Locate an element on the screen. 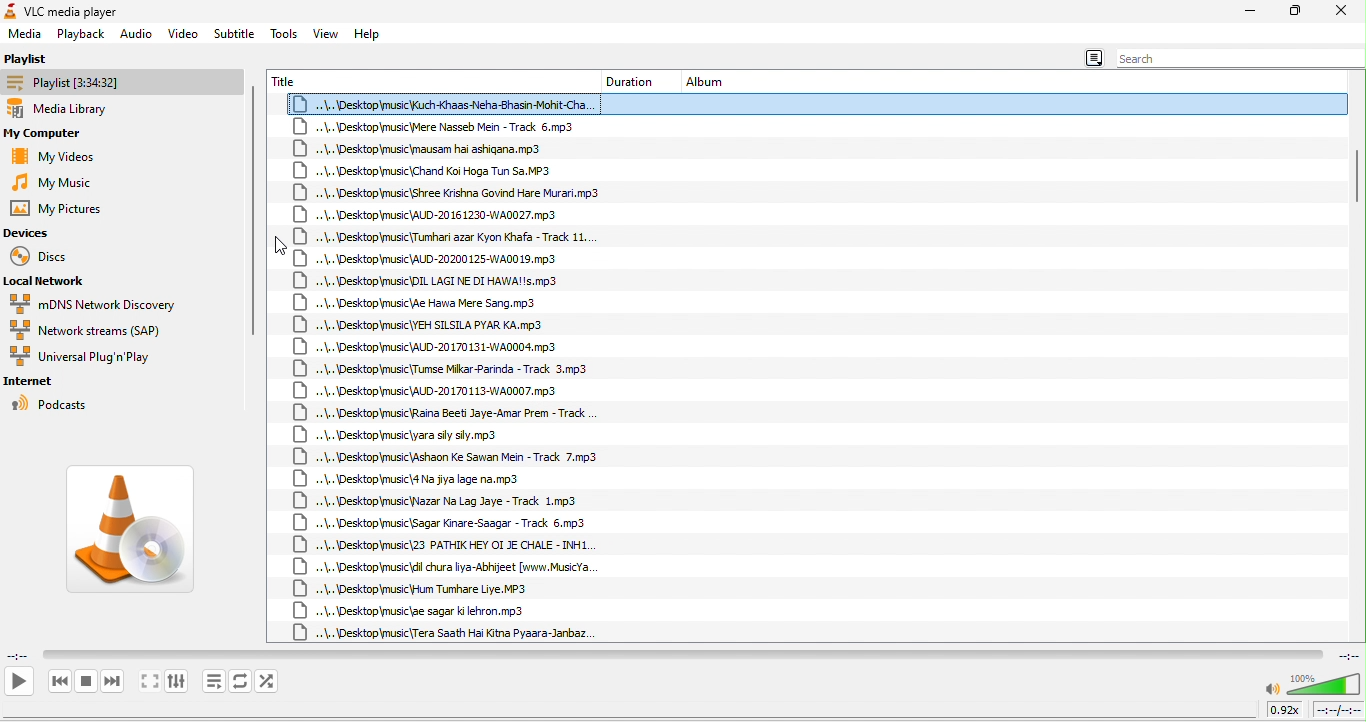 Image resolution: width=1366 pixels, height=722 pixels. audio is located at coordinates (136, 34).